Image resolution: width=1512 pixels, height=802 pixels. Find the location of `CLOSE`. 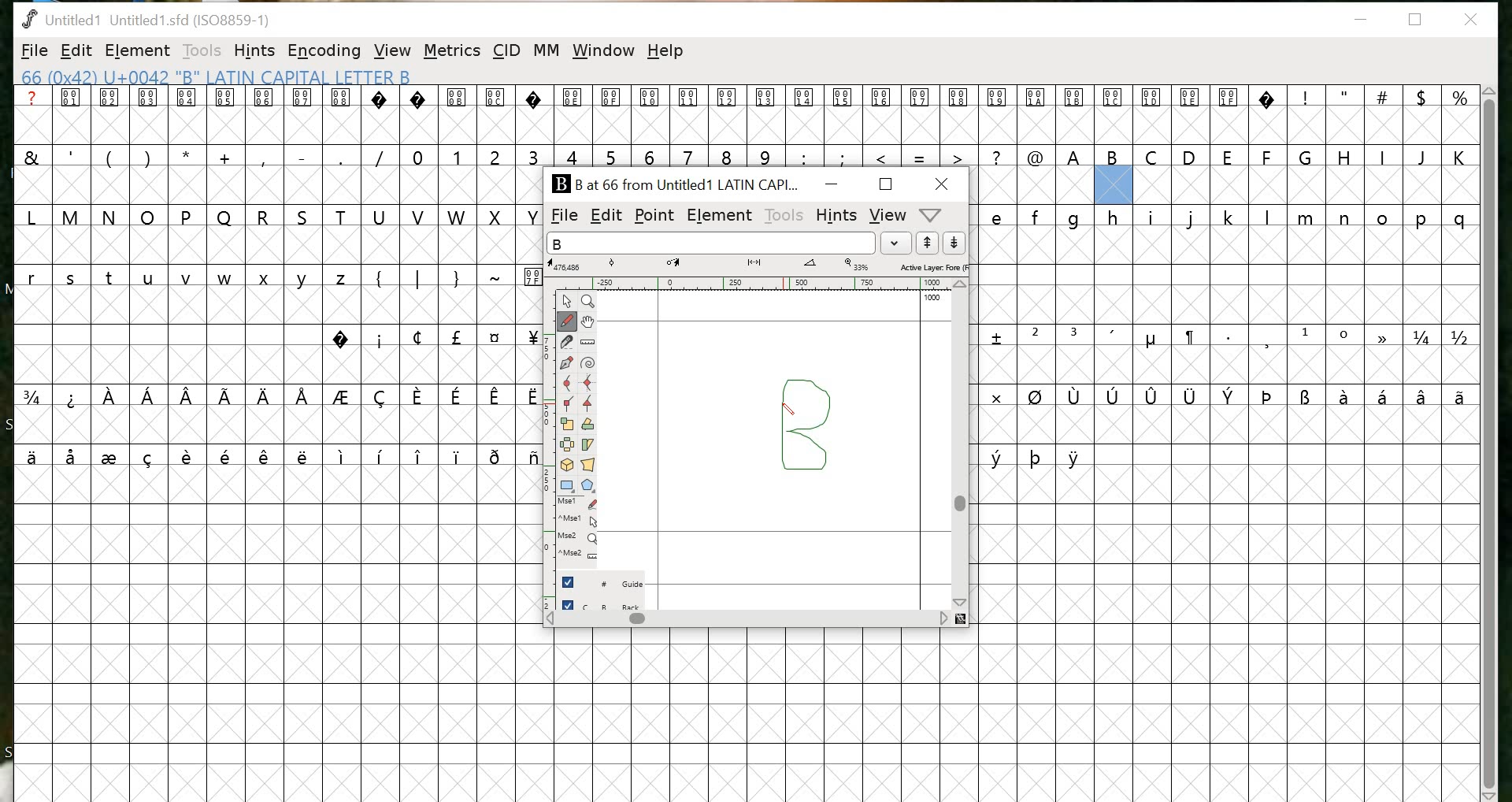

CLOSE is located at coordinates (943, 184).